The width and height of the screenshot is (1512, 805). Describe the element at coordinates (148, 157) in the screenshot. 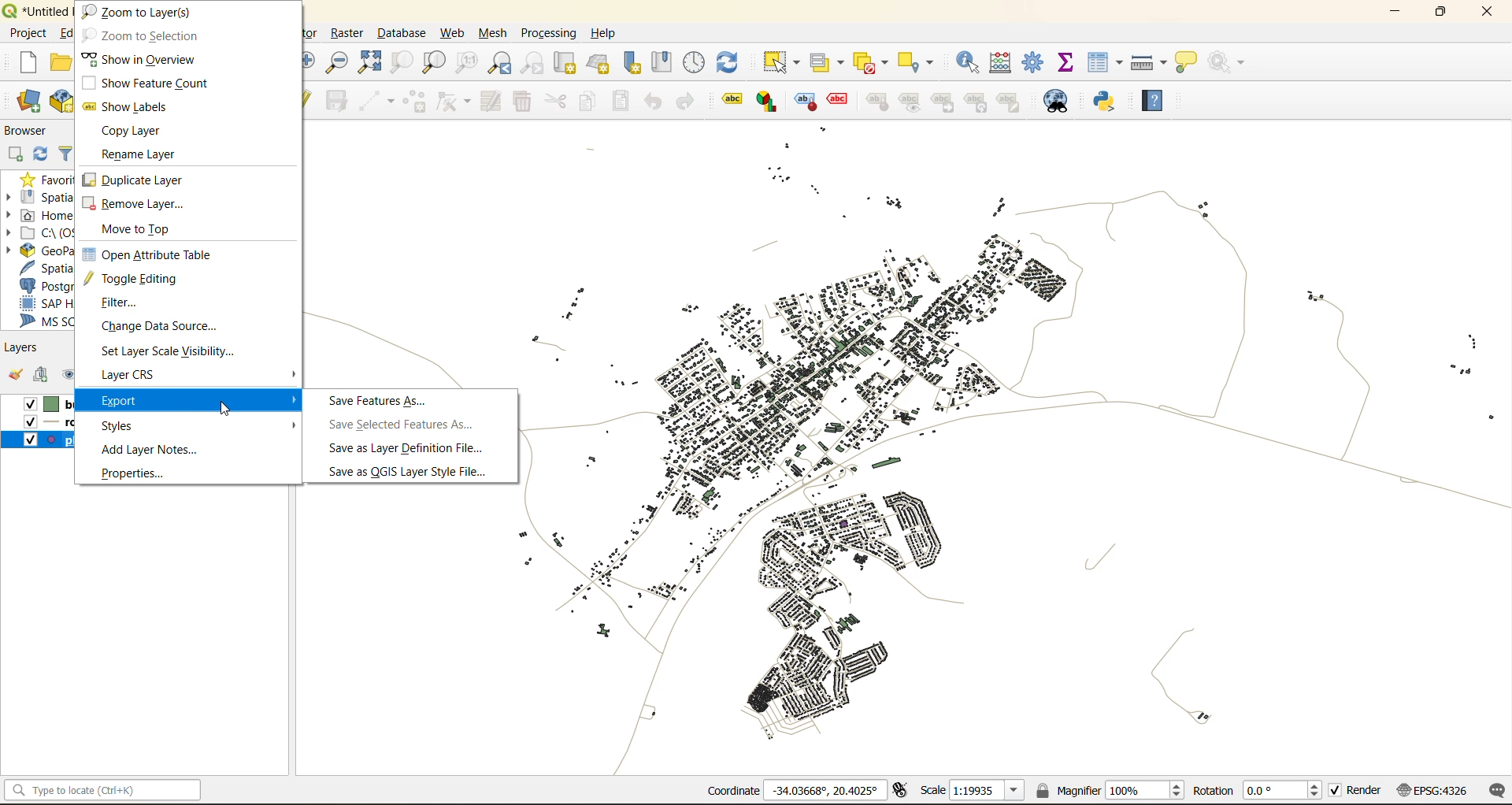

I see `rename layer` at that location.